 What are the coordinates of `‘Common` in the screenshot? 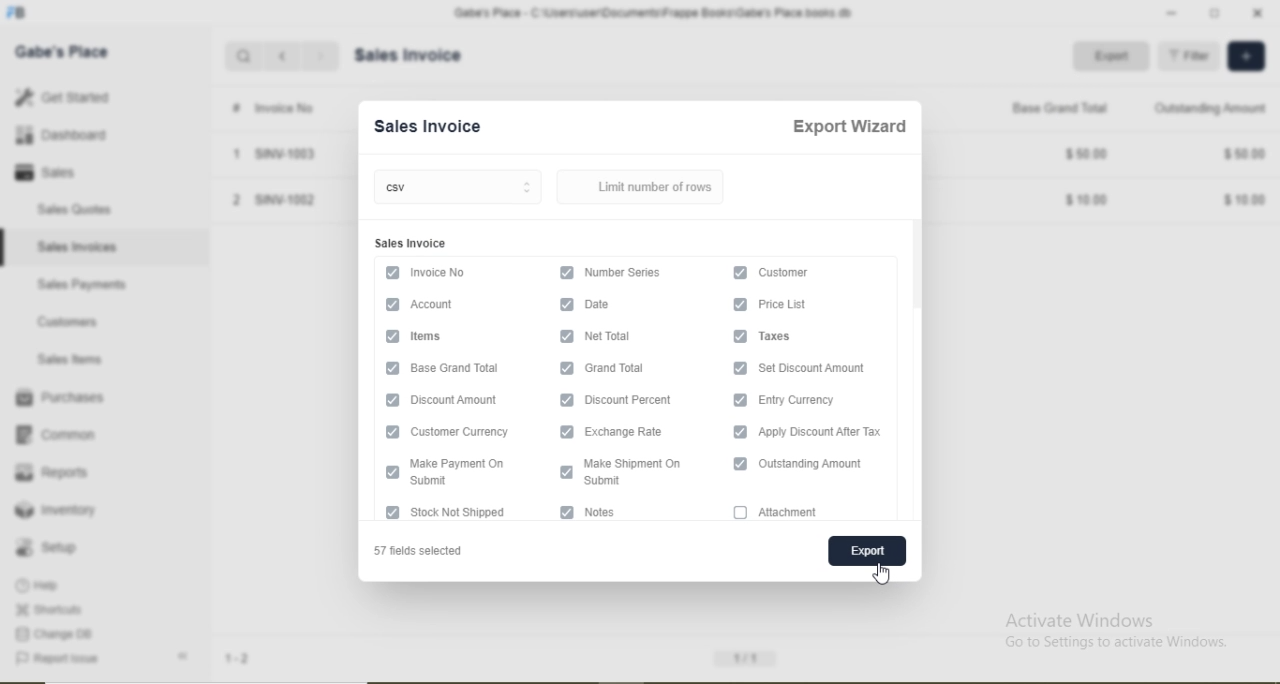 It's located at (61, 435).